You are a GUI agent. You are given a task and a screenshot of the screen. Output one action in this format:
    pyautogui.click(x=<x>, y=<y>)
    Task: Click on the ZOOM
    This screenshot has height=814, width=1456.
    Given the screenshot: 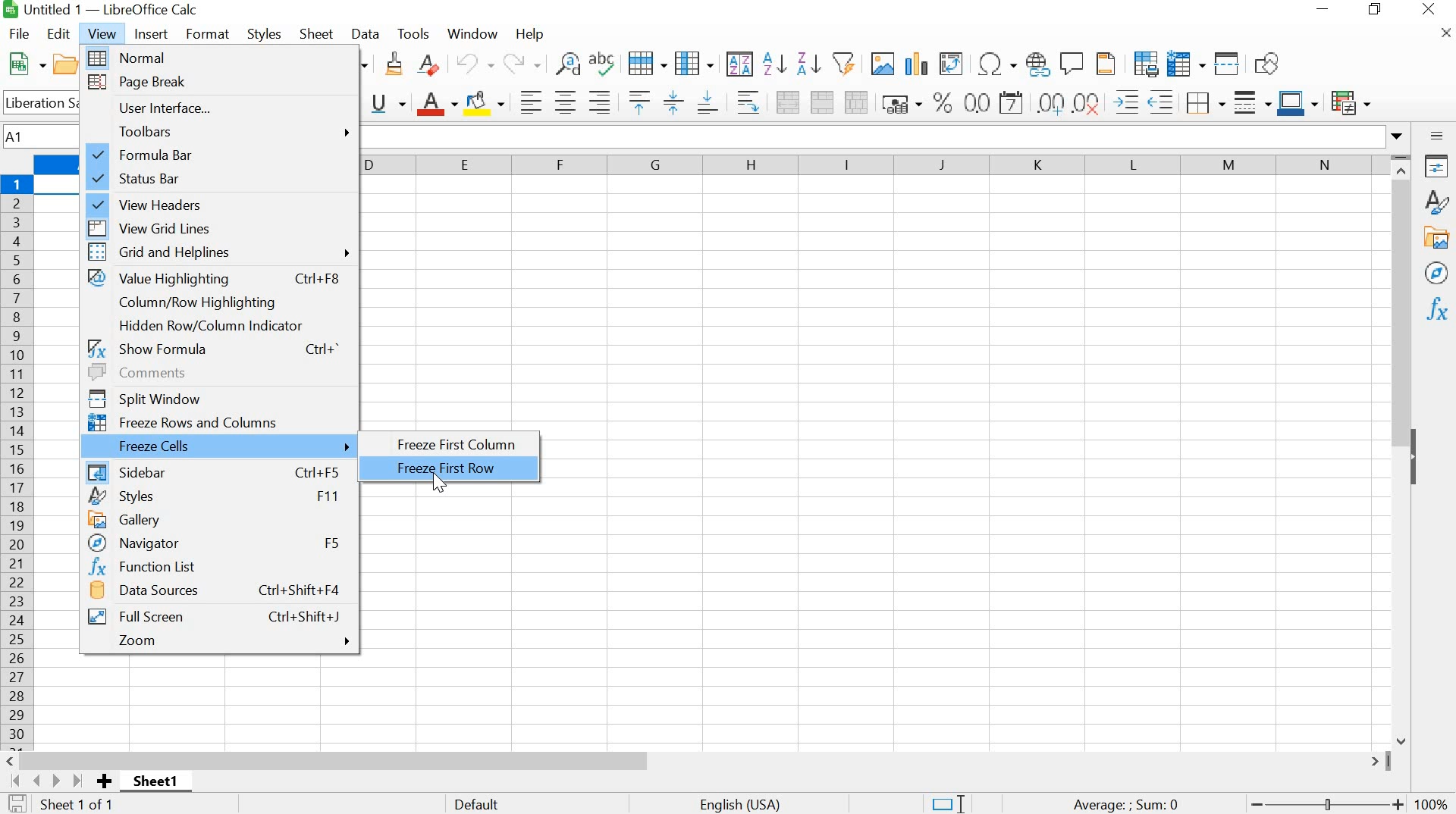 What is the action you would take?
    pyautogui.click(x=224, y=640)
    